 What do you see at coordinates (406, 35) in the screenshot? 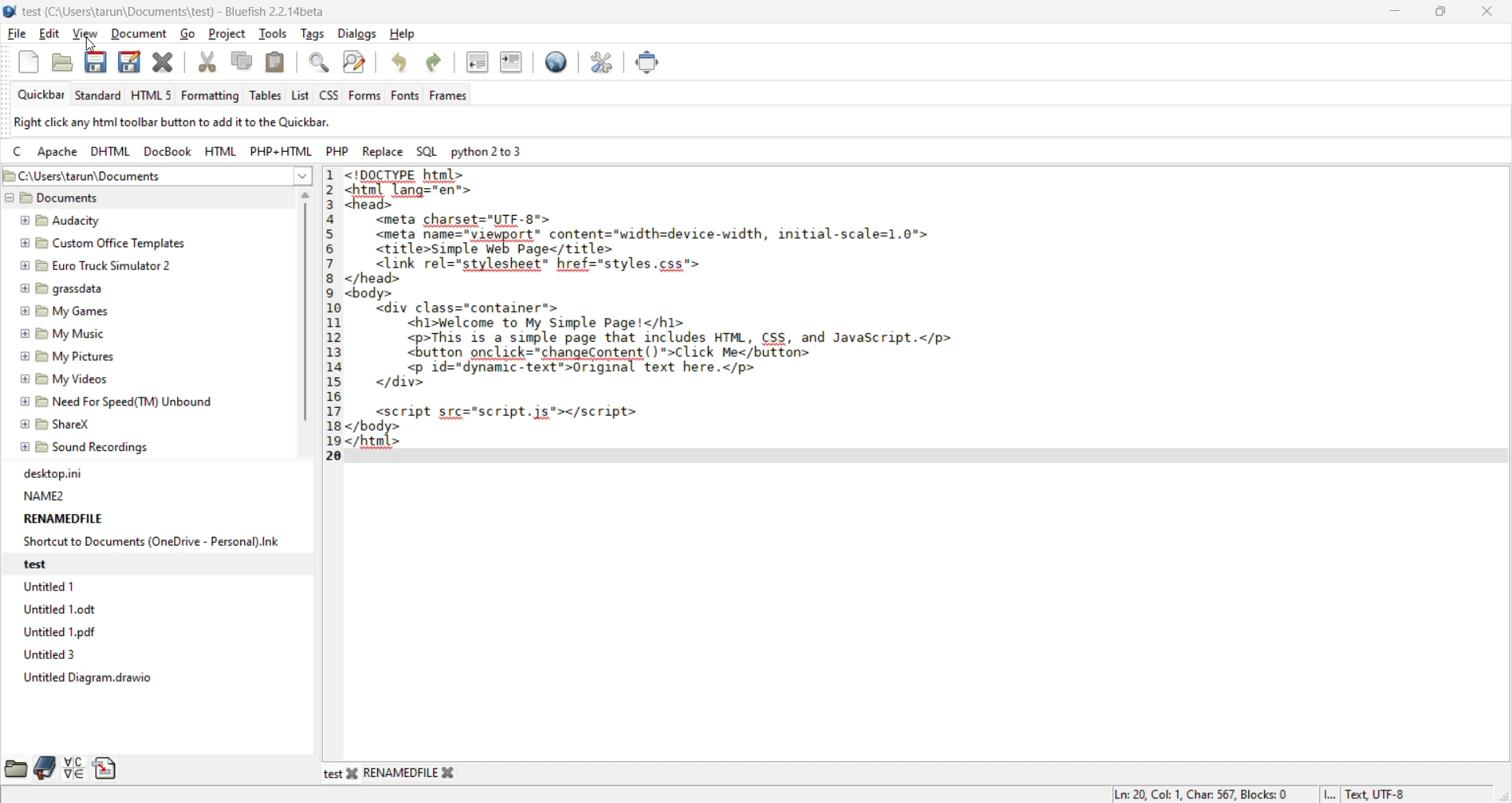
I see `help` at bounding box center [406, 35].